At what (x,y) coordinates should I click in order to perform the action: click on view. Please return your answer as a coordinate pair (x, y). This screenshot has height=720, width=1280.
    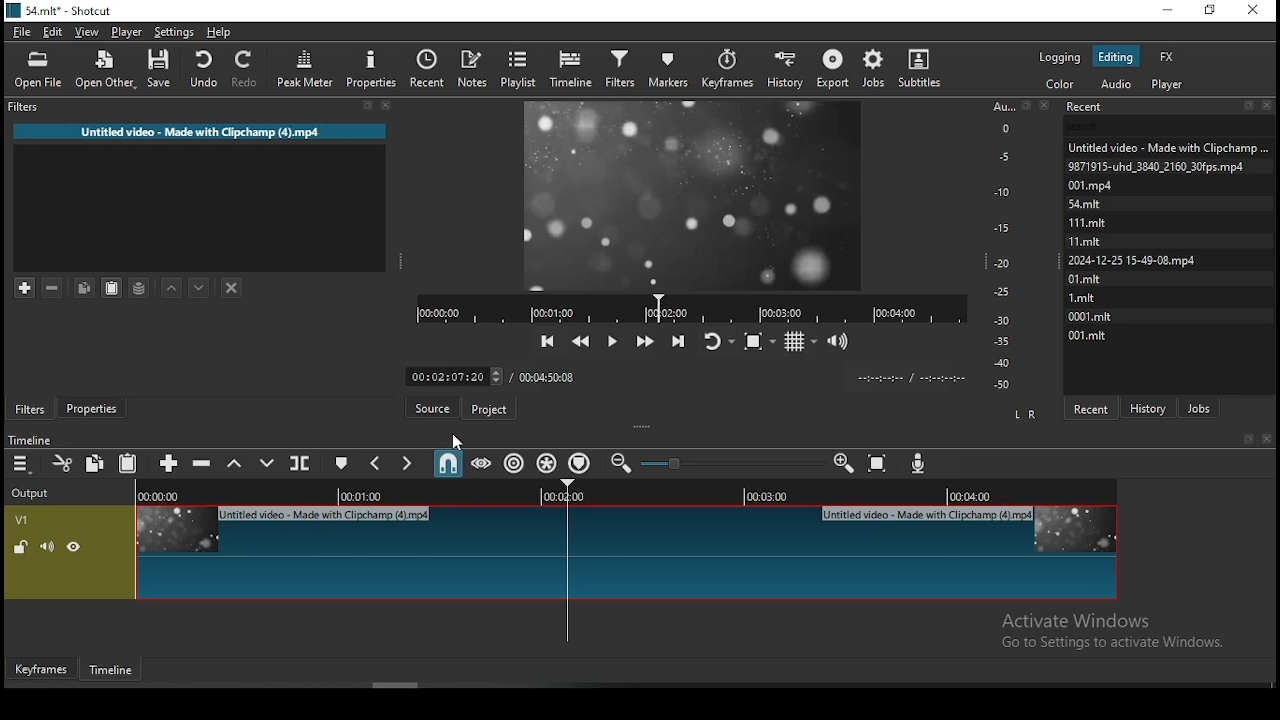
    Looking at the image, I should click on (87, 32).